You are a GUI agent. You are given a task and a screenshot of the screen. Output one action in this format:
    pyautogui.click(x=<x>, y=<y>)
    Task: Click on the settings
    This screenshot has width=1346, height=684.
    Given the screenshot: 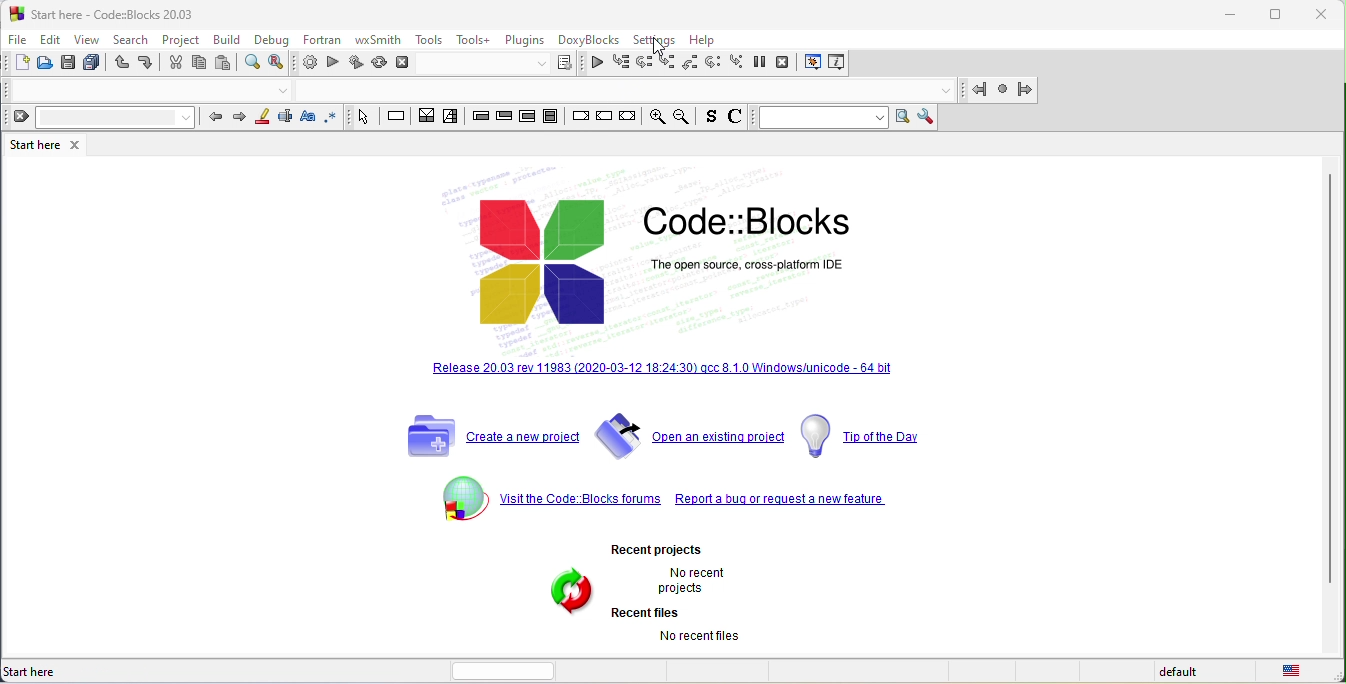 What is the action you would take?
    pyautogui.click(x=659, y=42)
    